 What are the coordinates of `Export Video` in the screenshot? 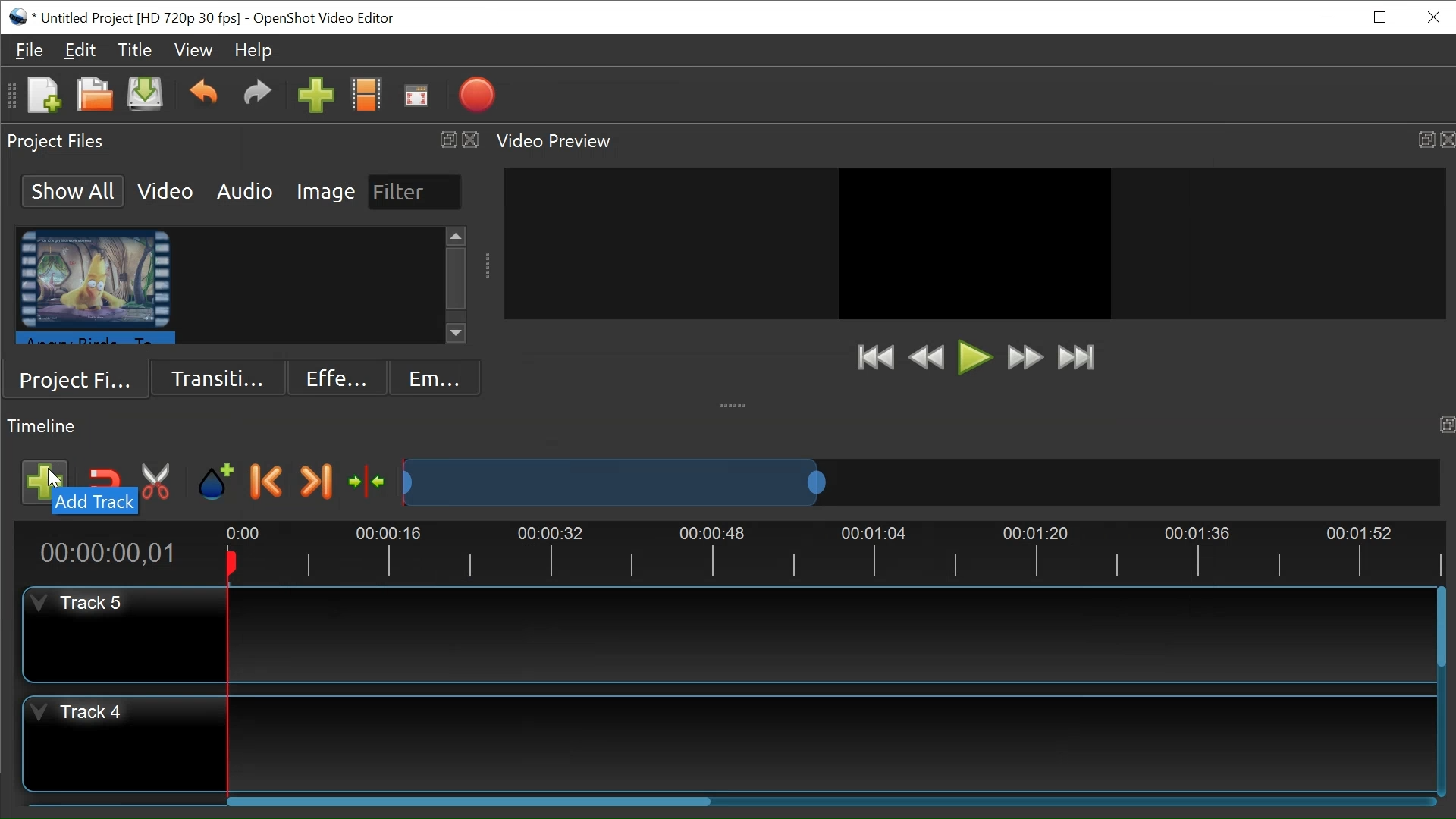 It's located at (479, 94).